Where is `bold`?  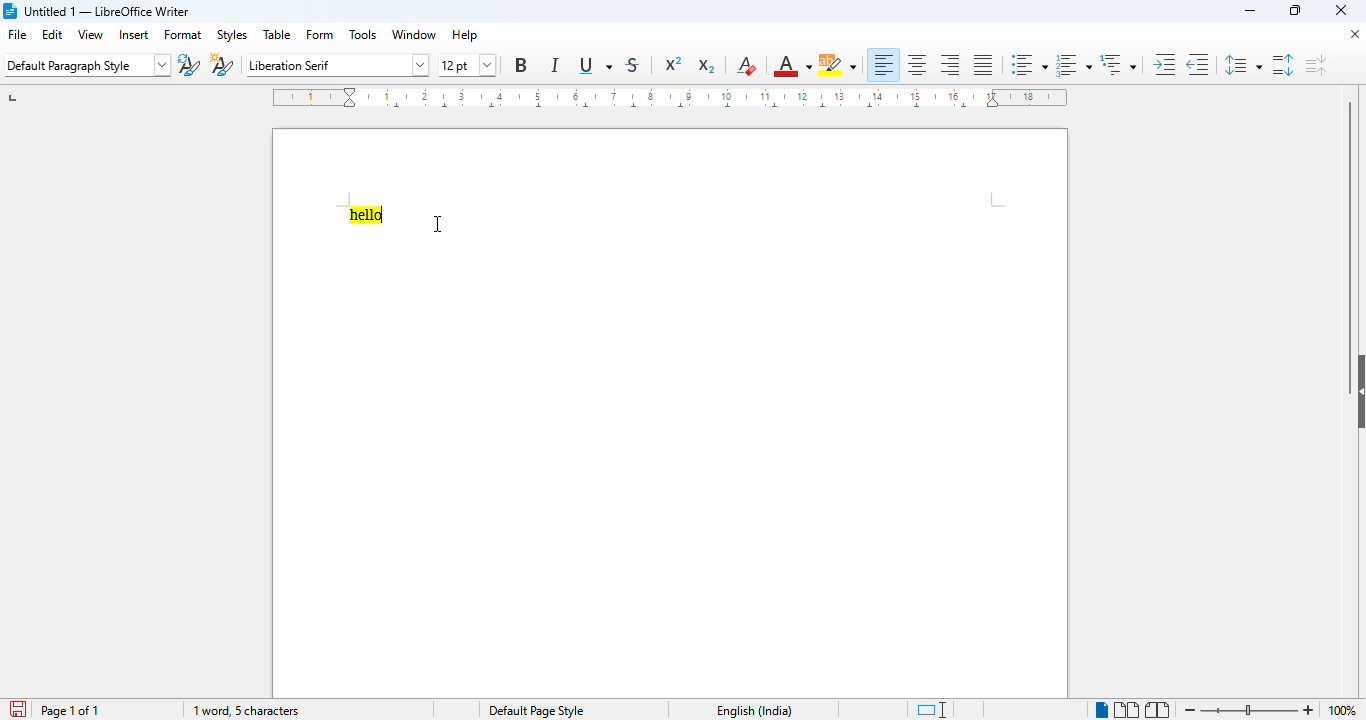 bold is located at coordinates (521, 65).